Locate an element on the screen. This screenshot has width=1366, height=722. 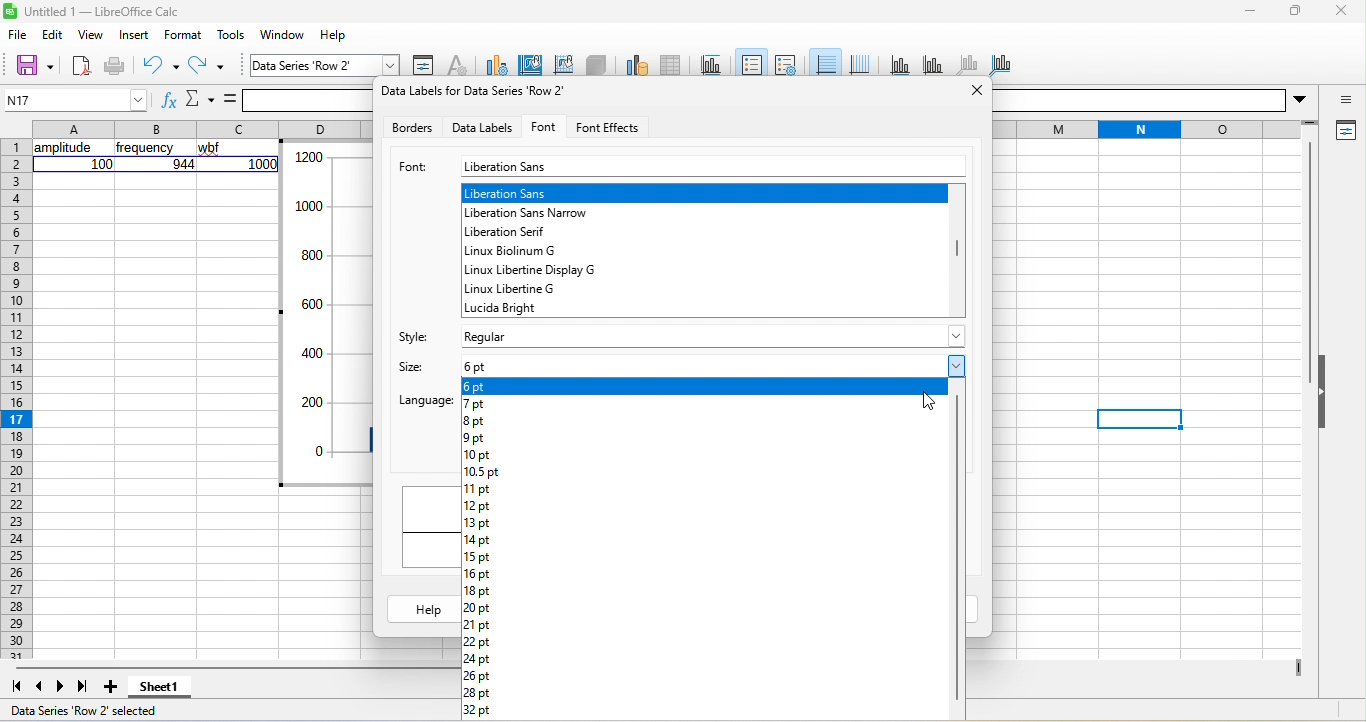
vertical grid  is located at coordinates (864, 59).